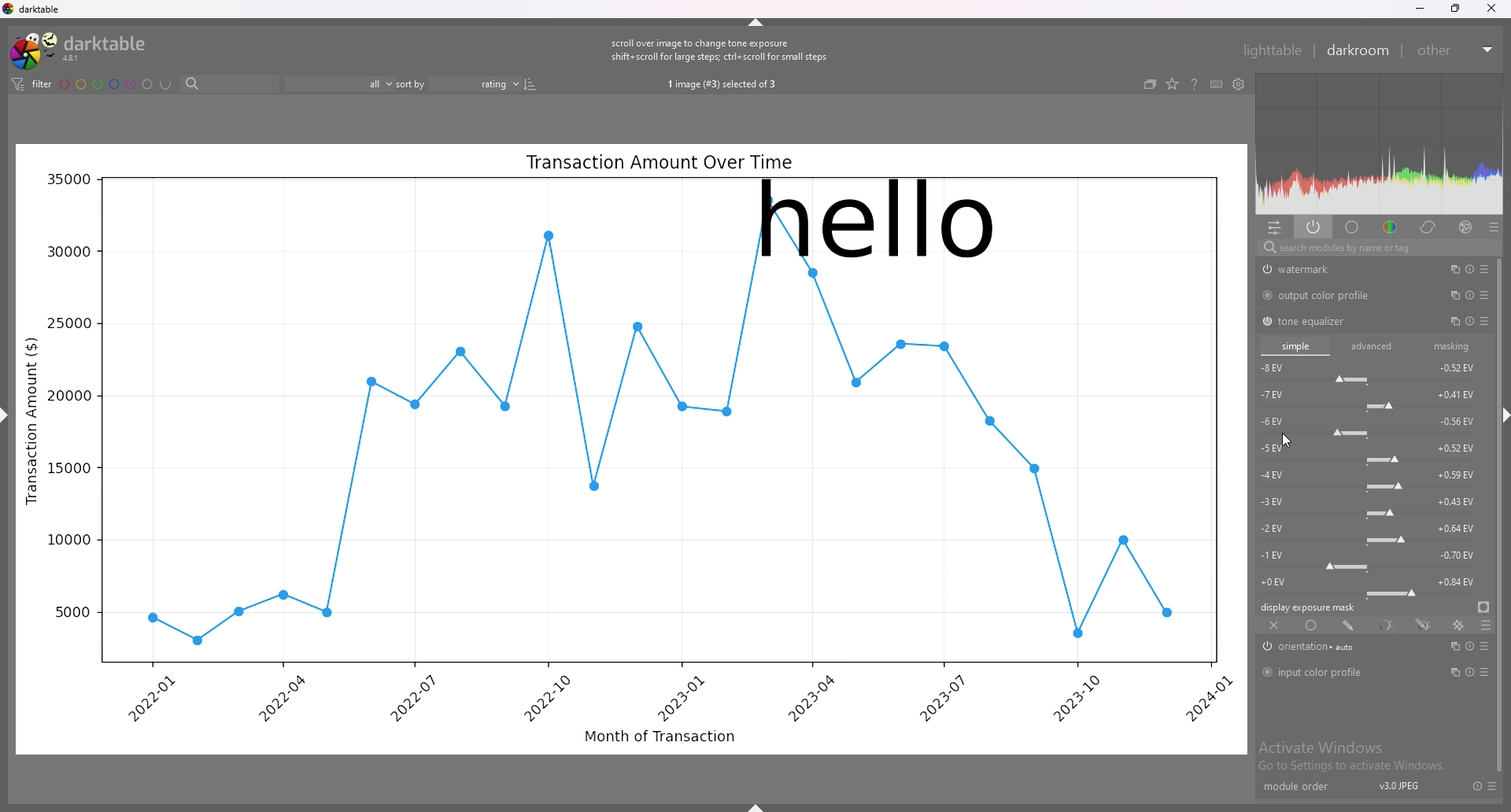 Image resolution: width=1511 pixels, height=812 pixels. Describe the element at coordinates (68, 179) in the screenshot. I see `35000` at that location.